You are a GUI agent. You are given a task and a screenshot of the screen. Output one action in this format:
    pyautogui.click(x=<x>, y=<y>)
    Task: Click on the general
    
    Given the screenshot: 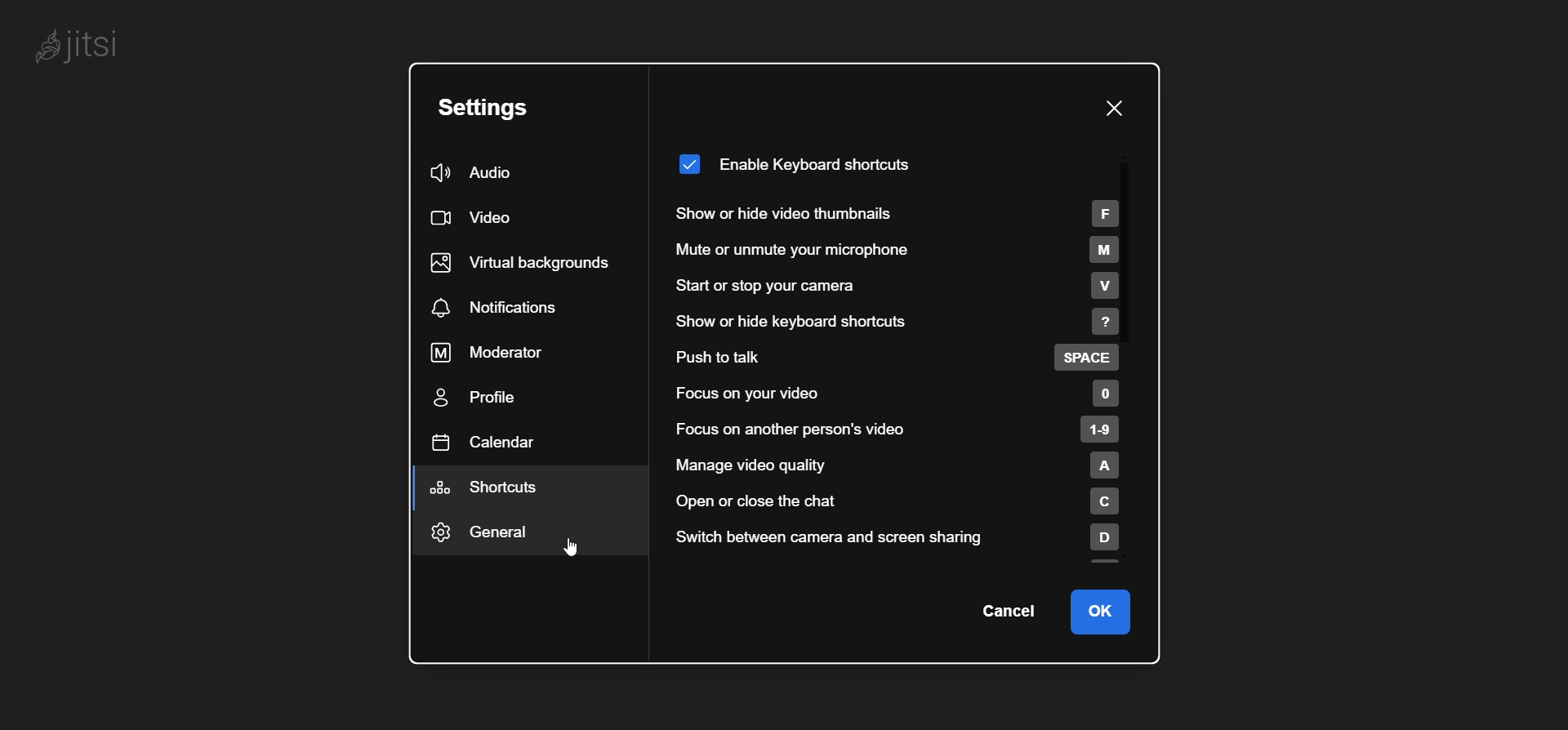 What is the action you would take?
    pyautogui.click(x=501, y=536)
    